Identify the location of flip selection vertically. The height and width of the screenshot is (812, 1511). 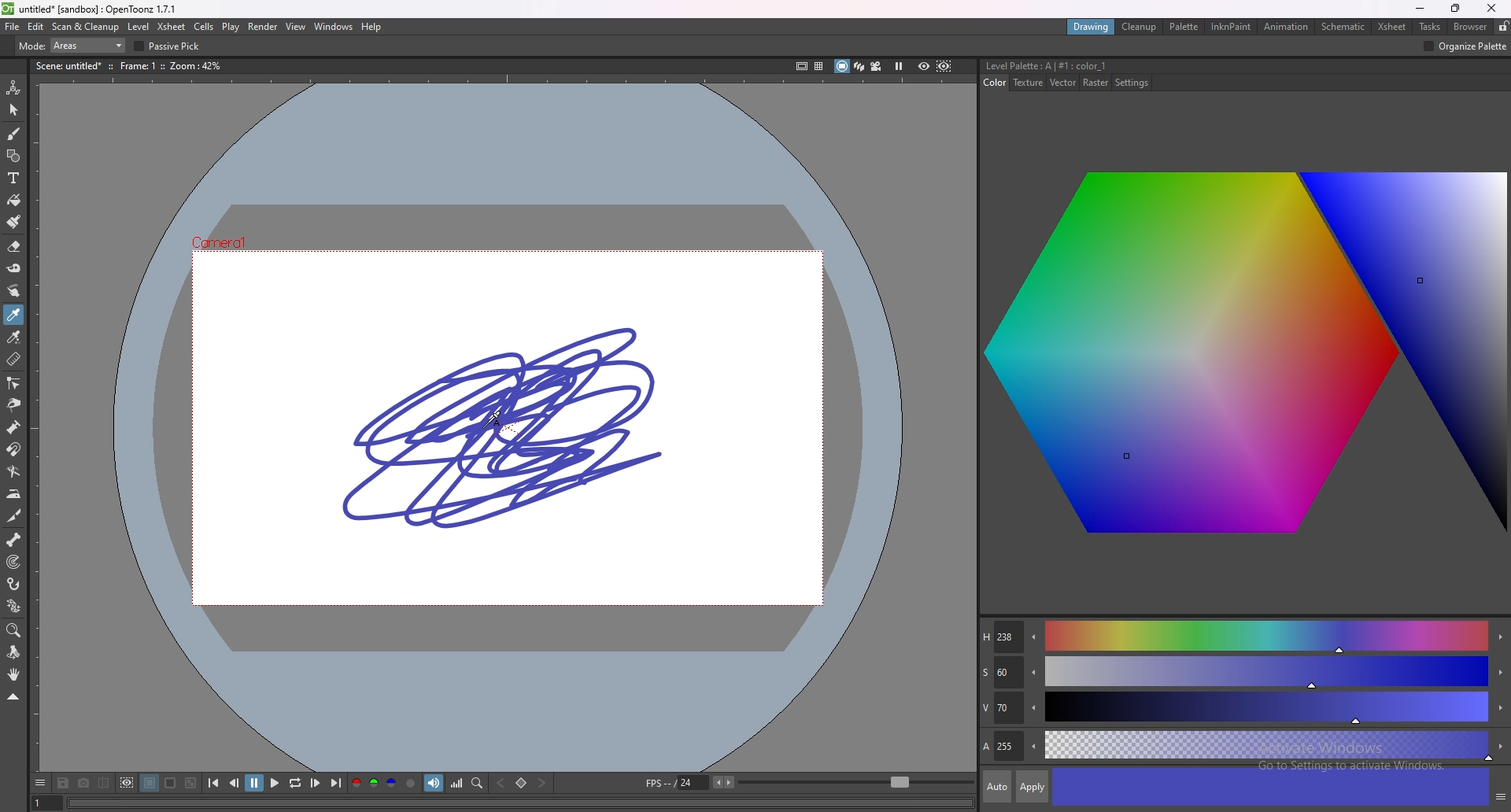
(709, 45).